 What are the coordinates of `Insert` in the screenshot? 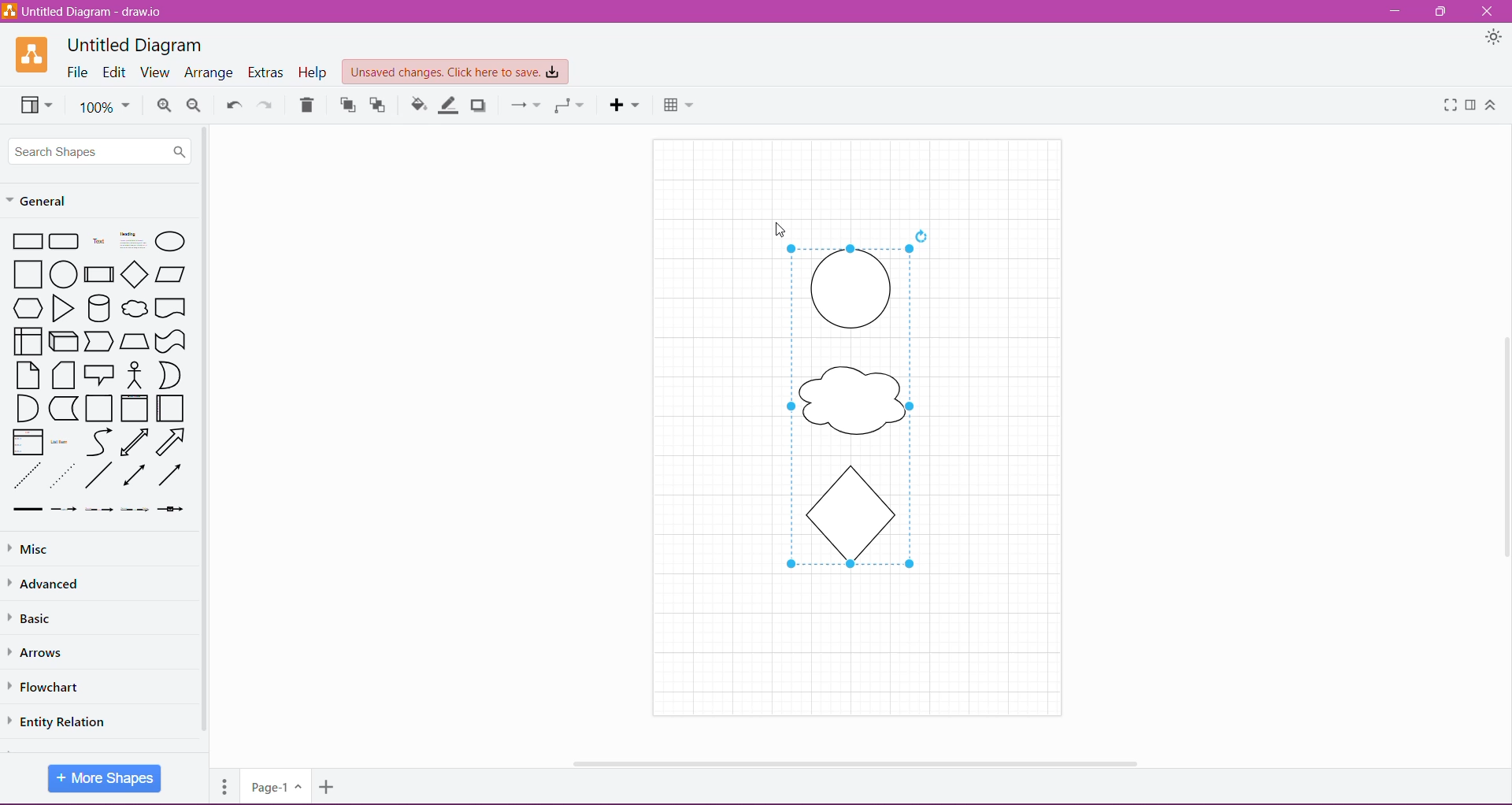 It's located at (624, 105).